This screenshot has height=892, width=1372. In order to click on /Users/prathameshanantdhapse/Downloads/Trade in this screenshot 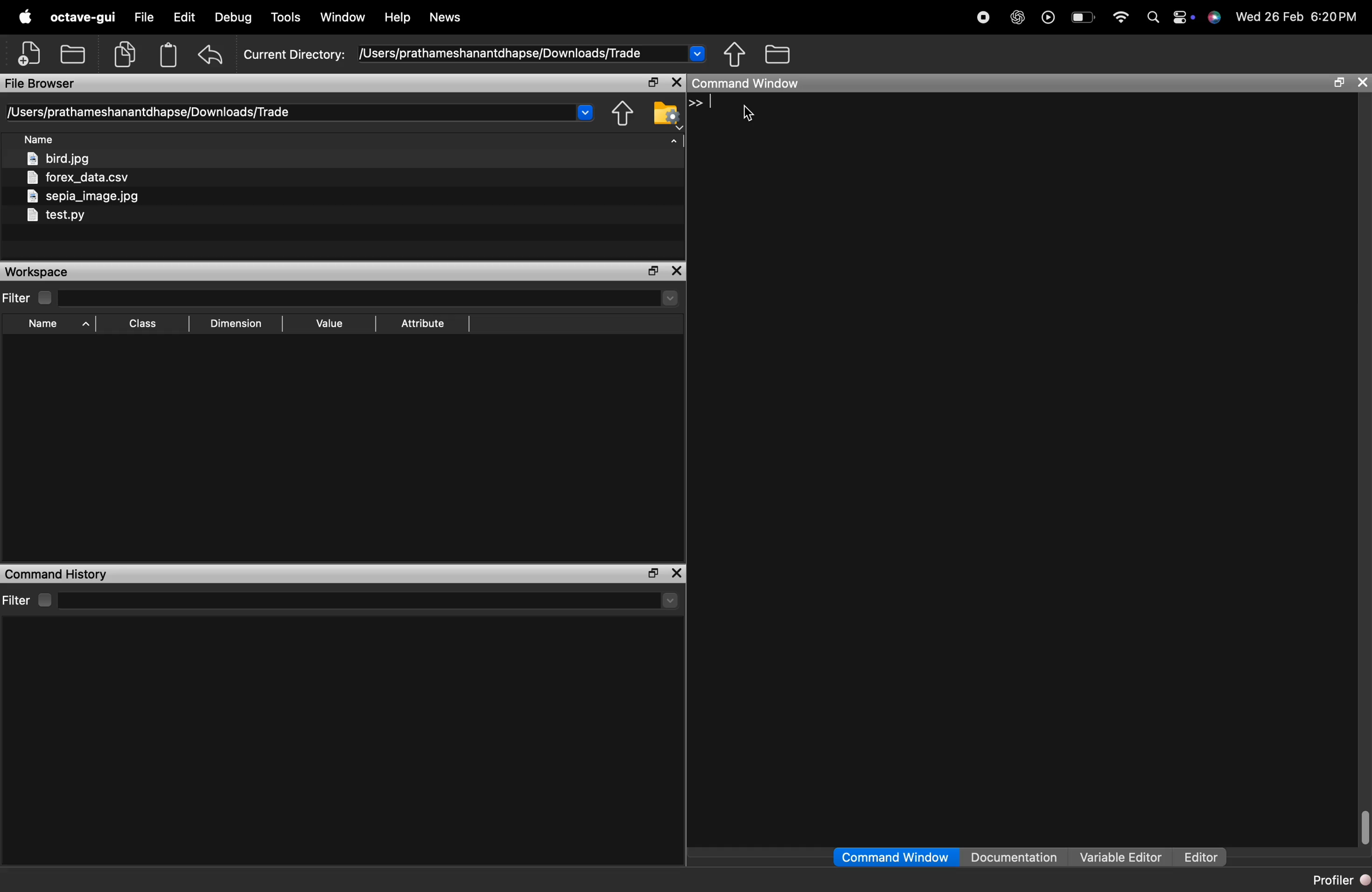, I will do `click(148, 112)`.